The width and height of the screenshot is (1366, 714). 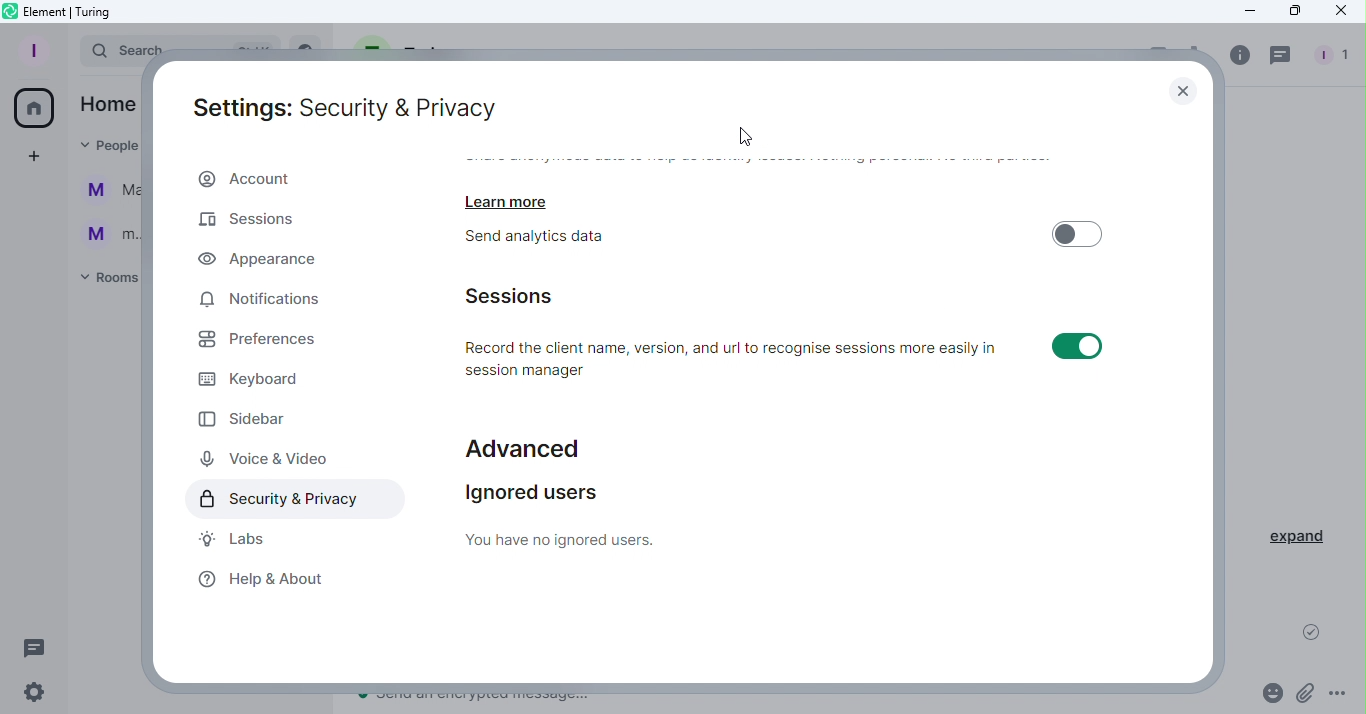 What do you see at coordinates (105, 233) in the screenshot?
I see `m...@t...` at bounding box center [105, 233].